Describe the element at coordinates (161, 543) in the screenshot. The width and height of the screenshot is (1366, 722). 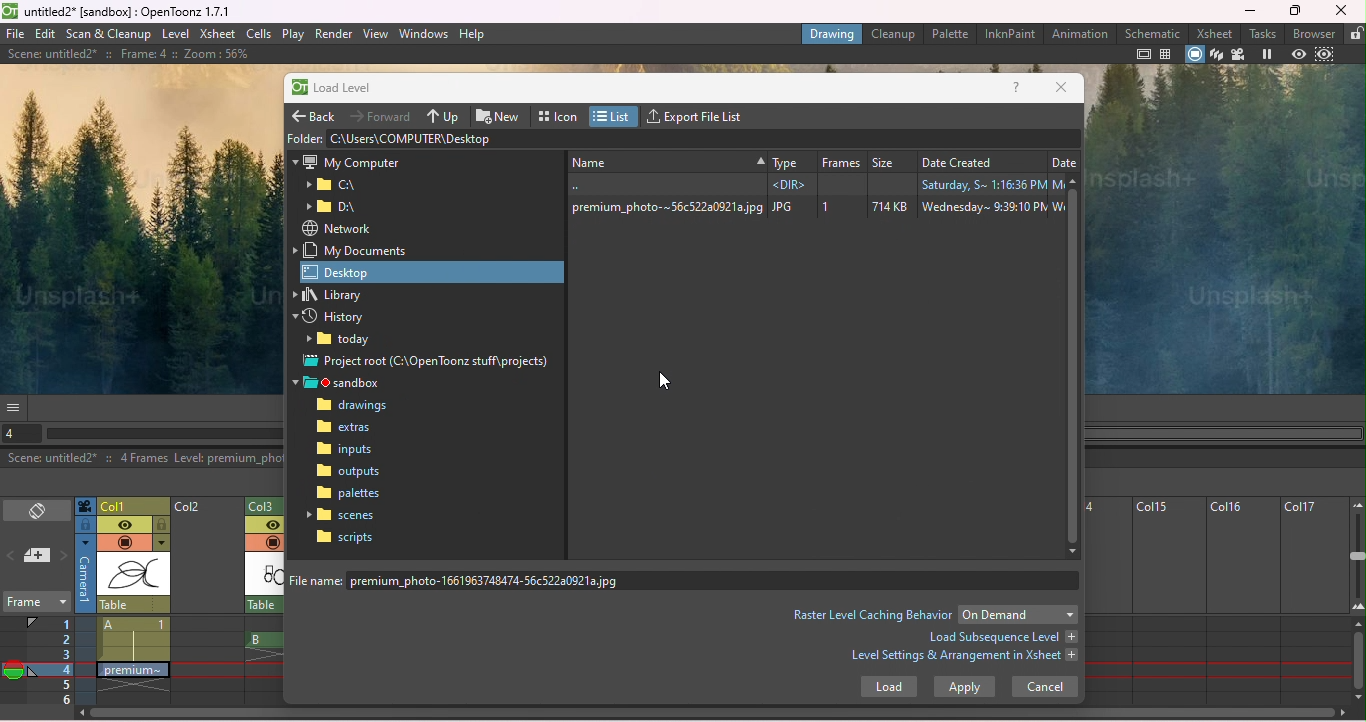
I see `Additional column setting` at that location.